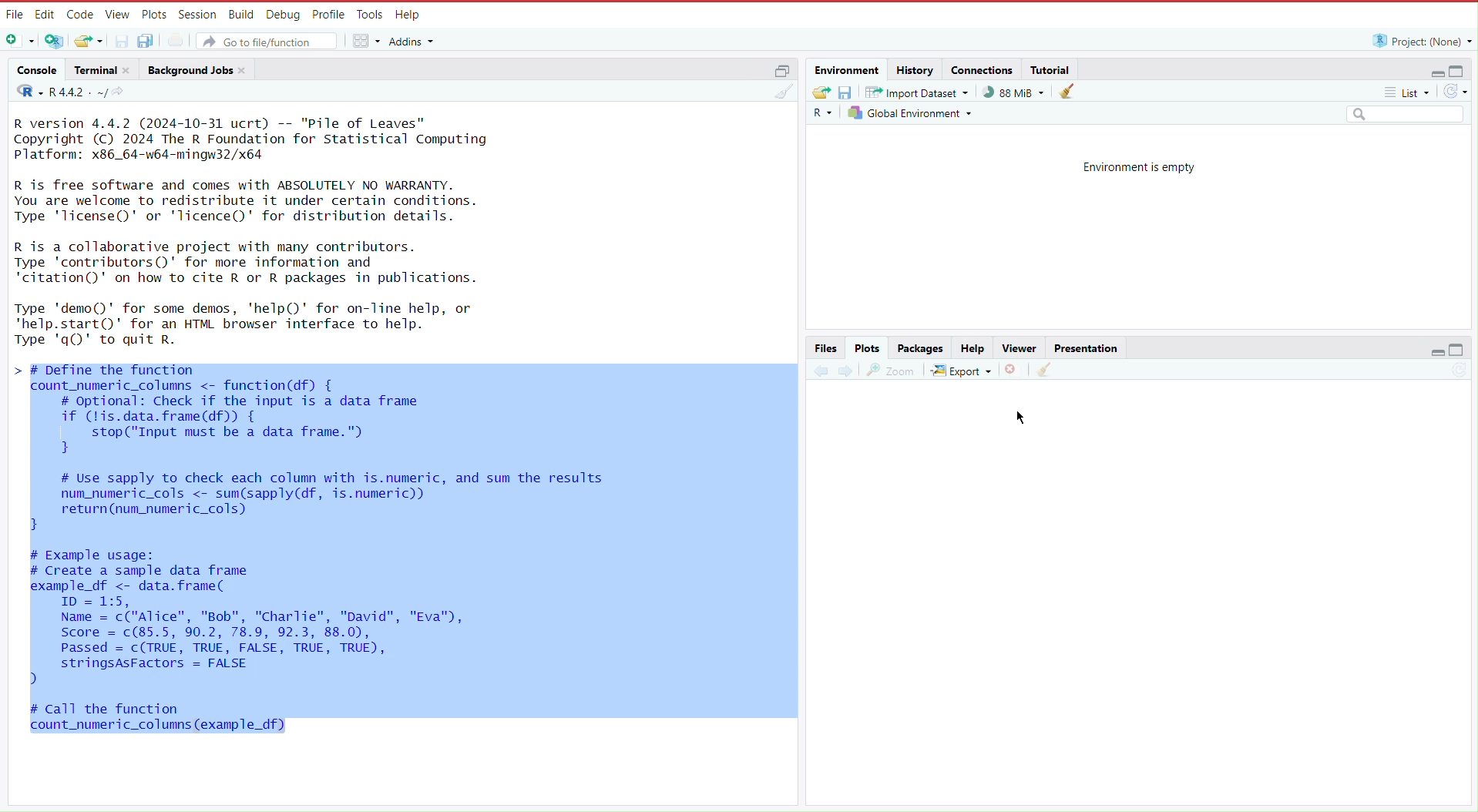  I want to click on Files, so click(827, 347).